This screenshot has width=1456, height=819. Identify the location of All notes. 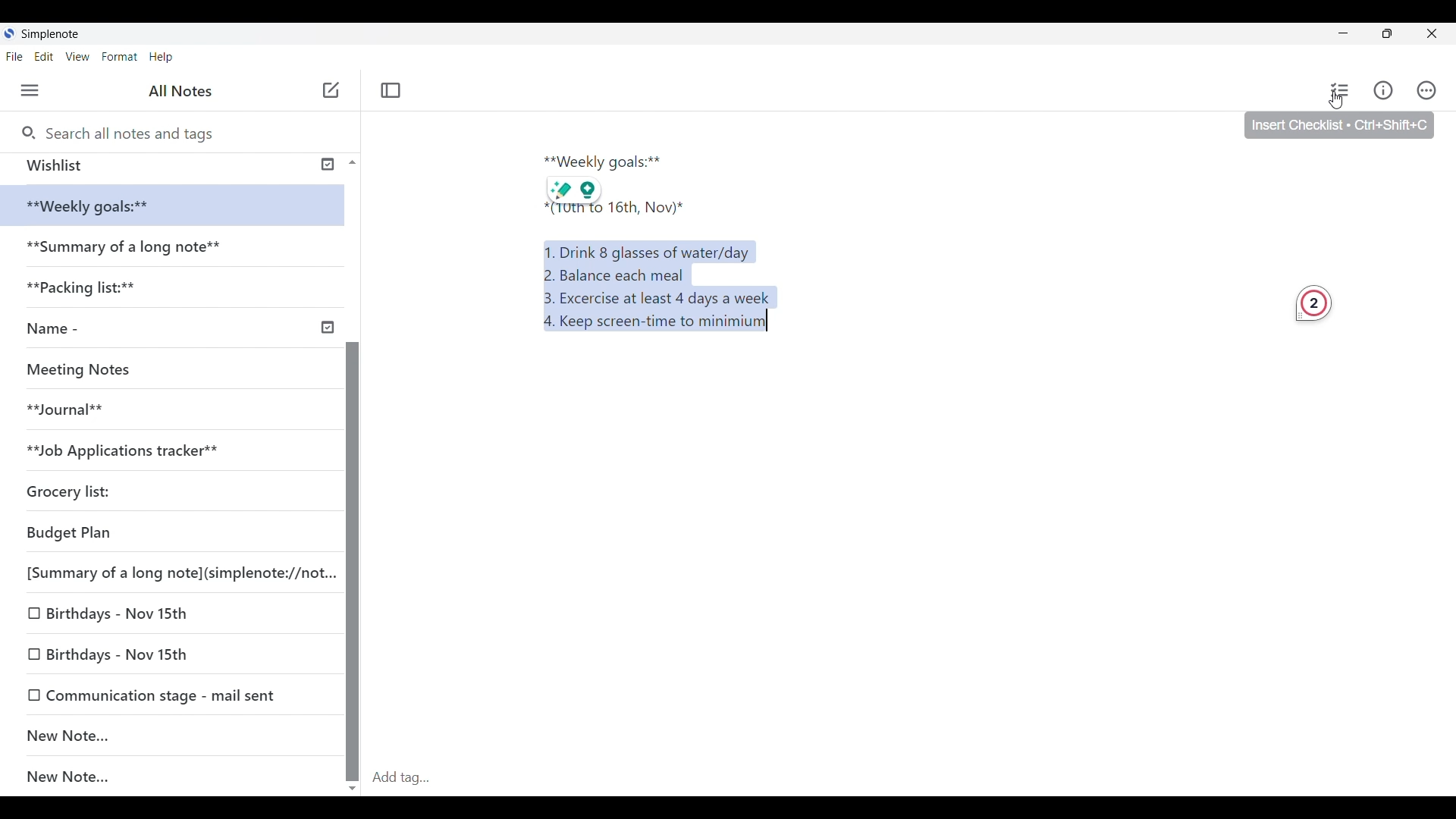
(184, 91).